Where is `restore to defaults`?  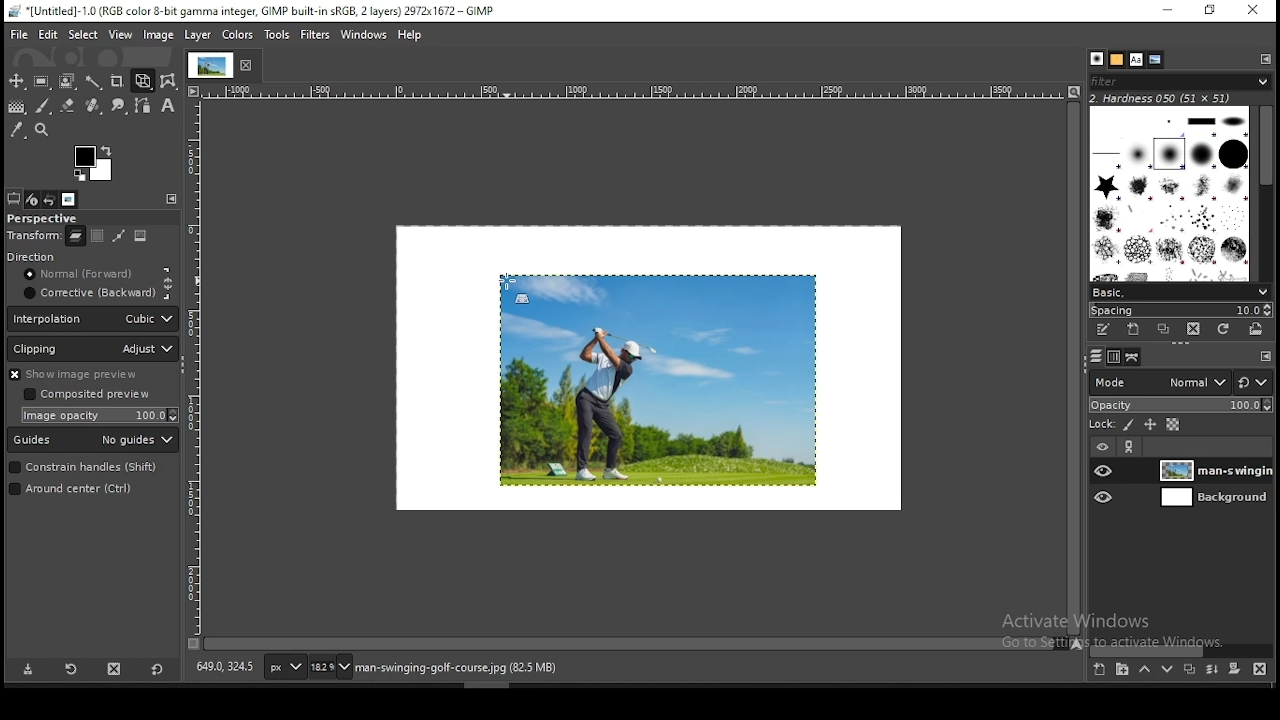
restore to defaults is located at coordinates (156, 668).